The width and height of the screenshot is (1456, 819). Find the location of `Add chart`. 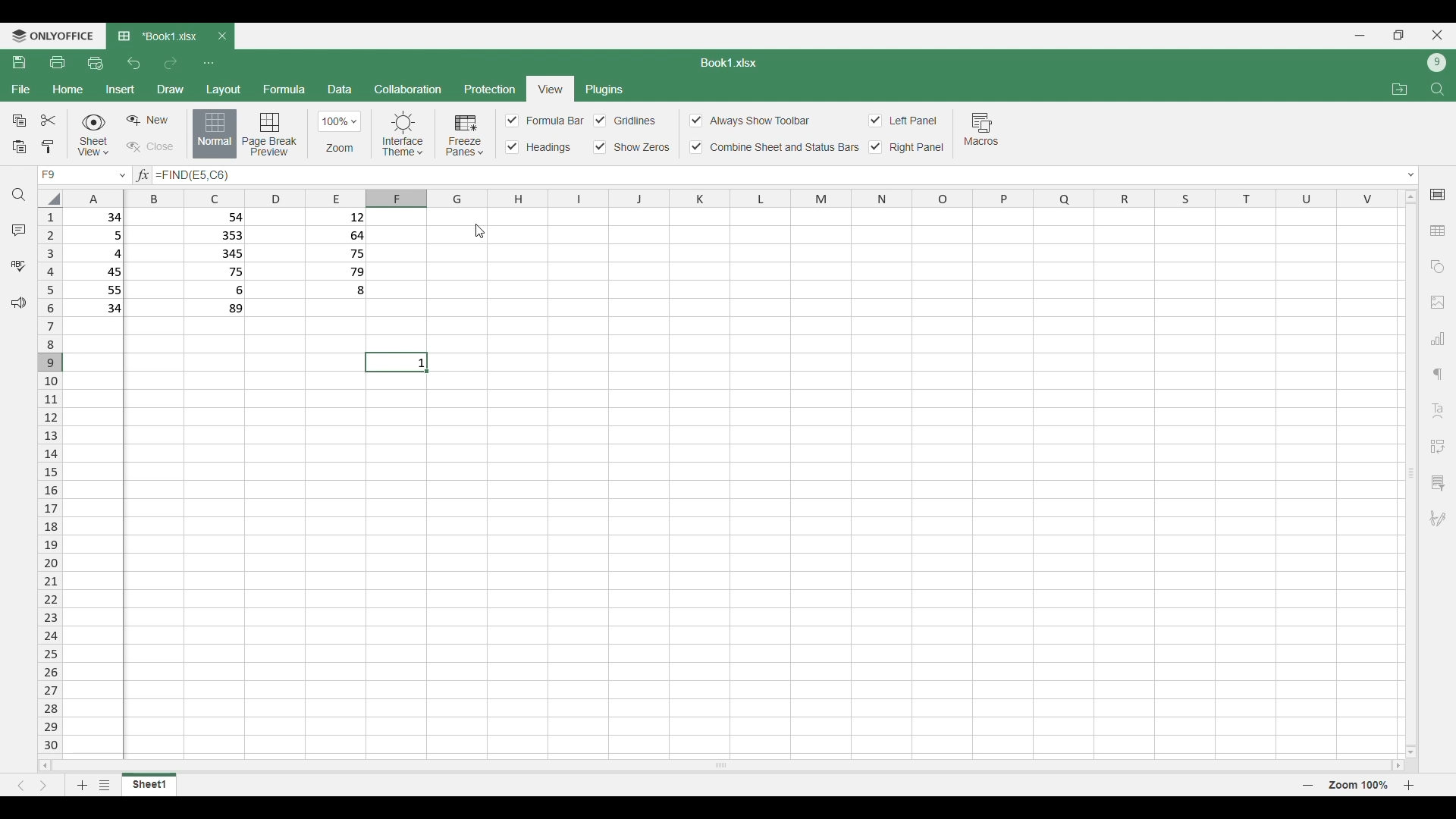

Add chart is located at coordinates (1438, 338).